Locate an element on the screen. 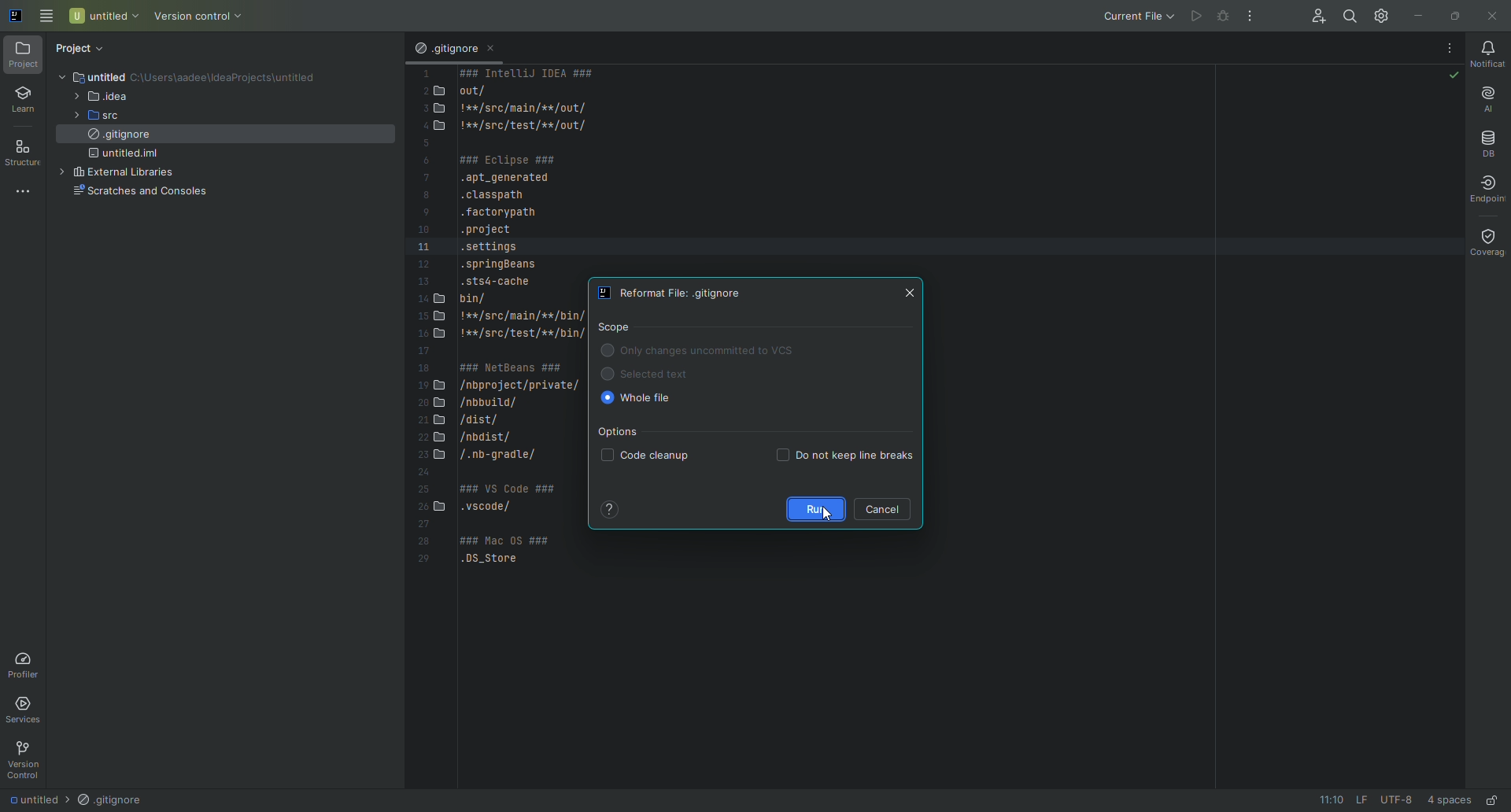  Project is located at coordinates (84, 46).